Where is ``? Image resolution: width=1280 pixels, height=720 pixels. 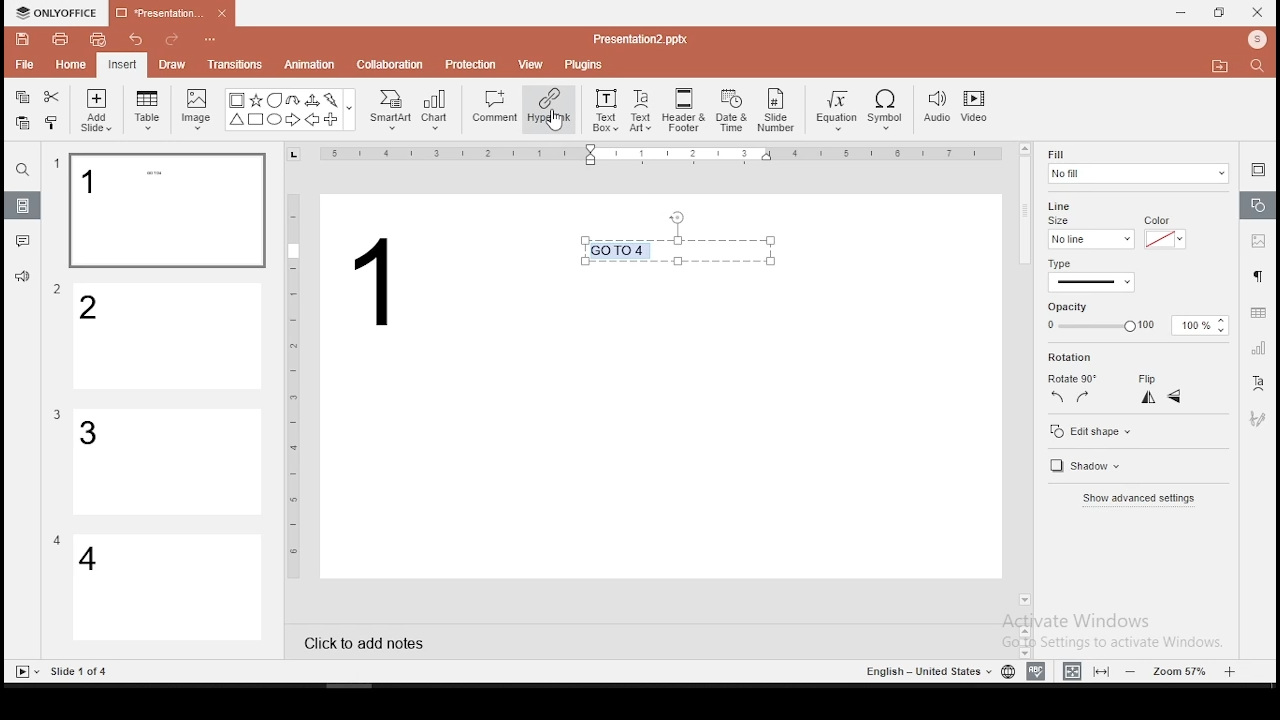  is located at coordinates (58, 290).